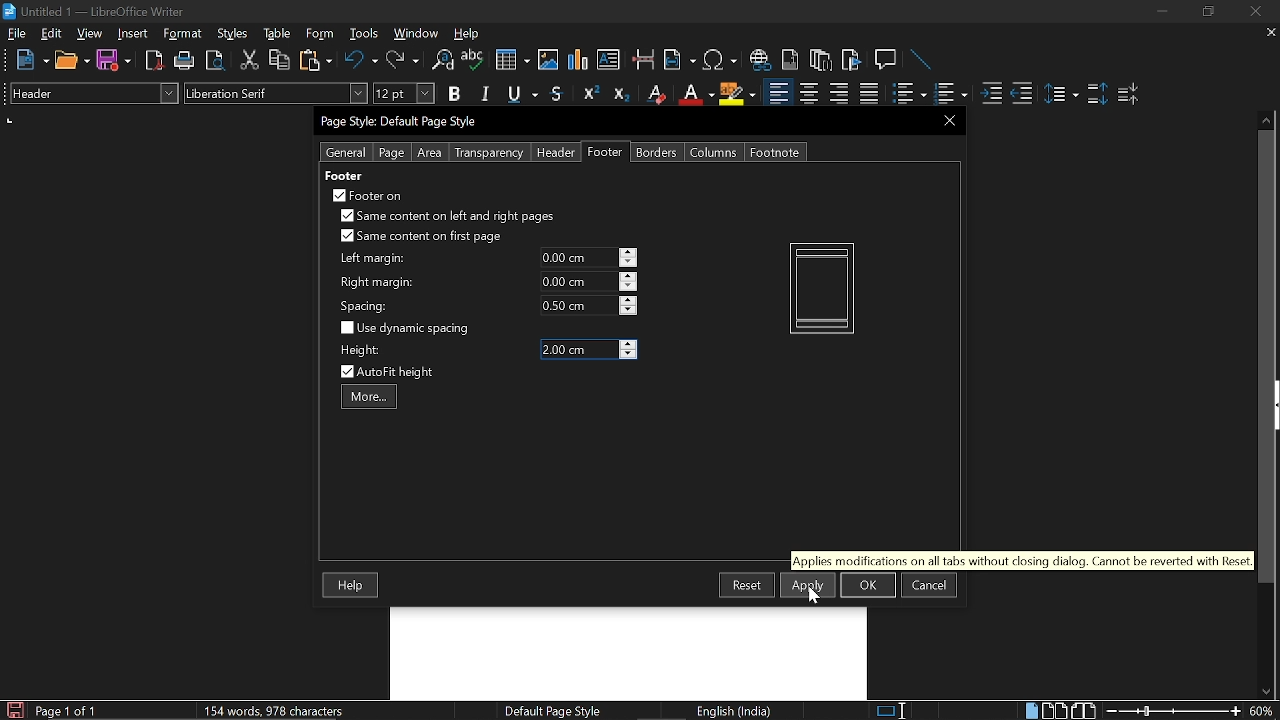 This screenshot has width=1280, height=720. I want to click on right margin, so click(377, 283).